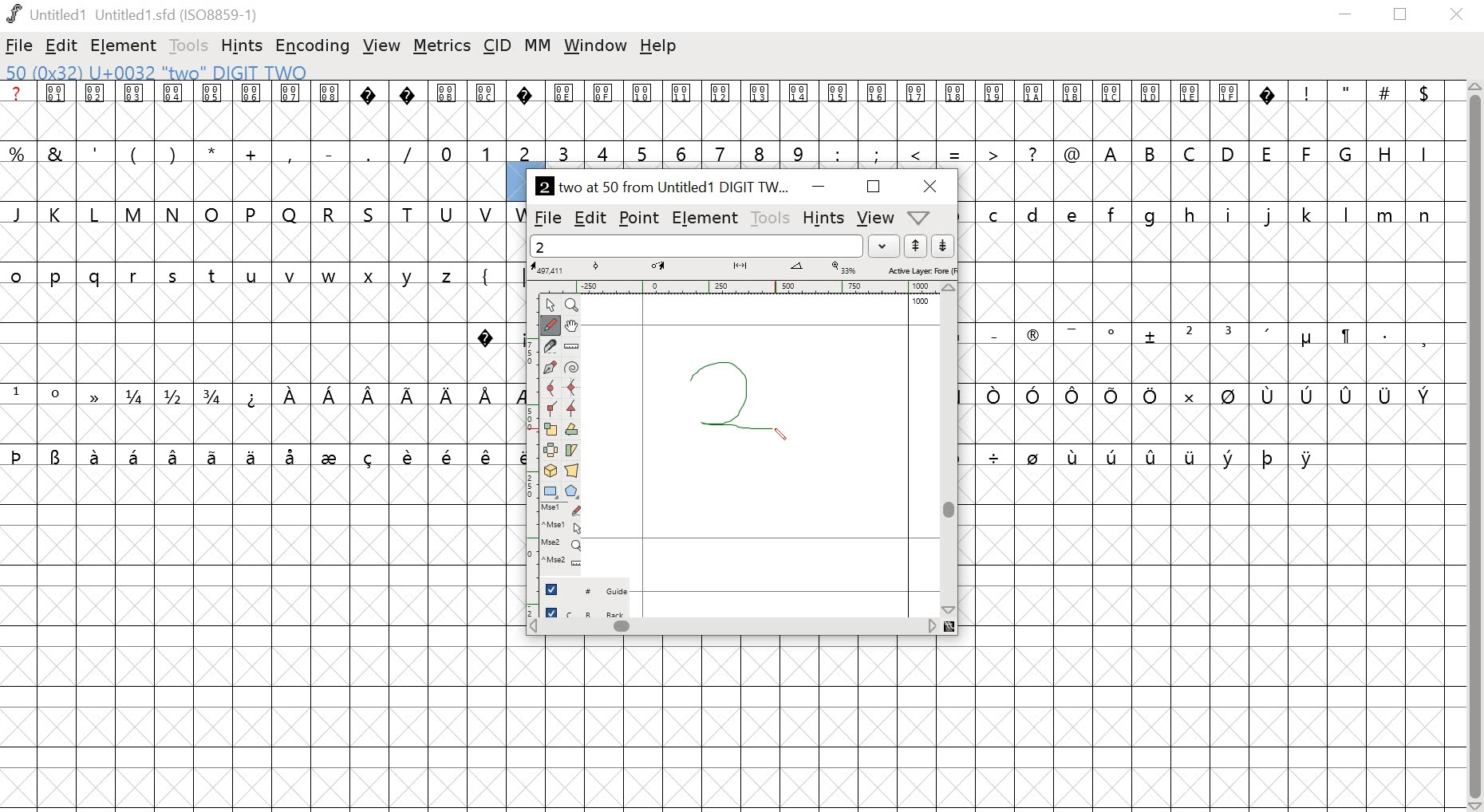 This screenshot has width=1484, height=812. I want to click on zoom, so click(574, 305).